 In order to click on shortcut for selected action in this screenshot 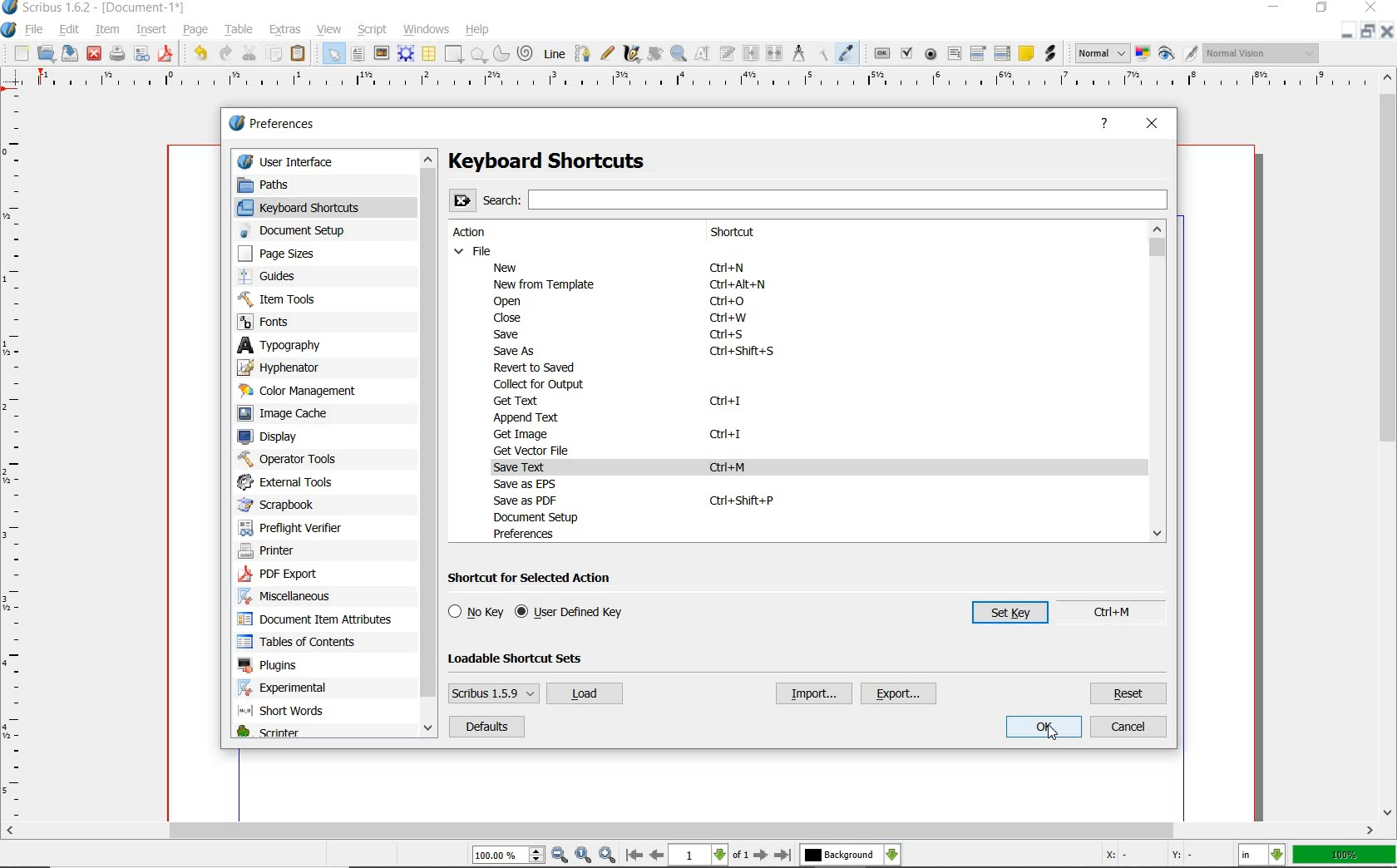, I will do `click(536, 579)`.